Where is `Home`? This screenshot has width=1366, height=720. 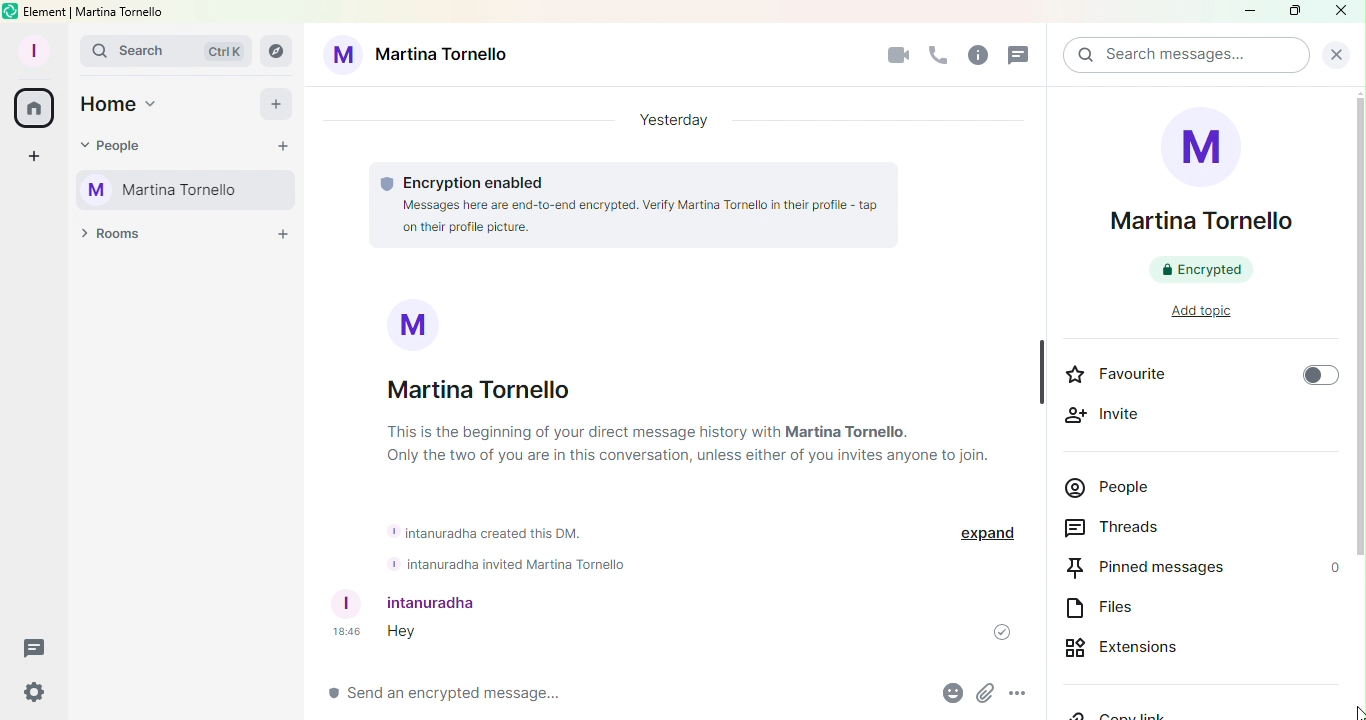
Home is located at coordinates (34, 111).